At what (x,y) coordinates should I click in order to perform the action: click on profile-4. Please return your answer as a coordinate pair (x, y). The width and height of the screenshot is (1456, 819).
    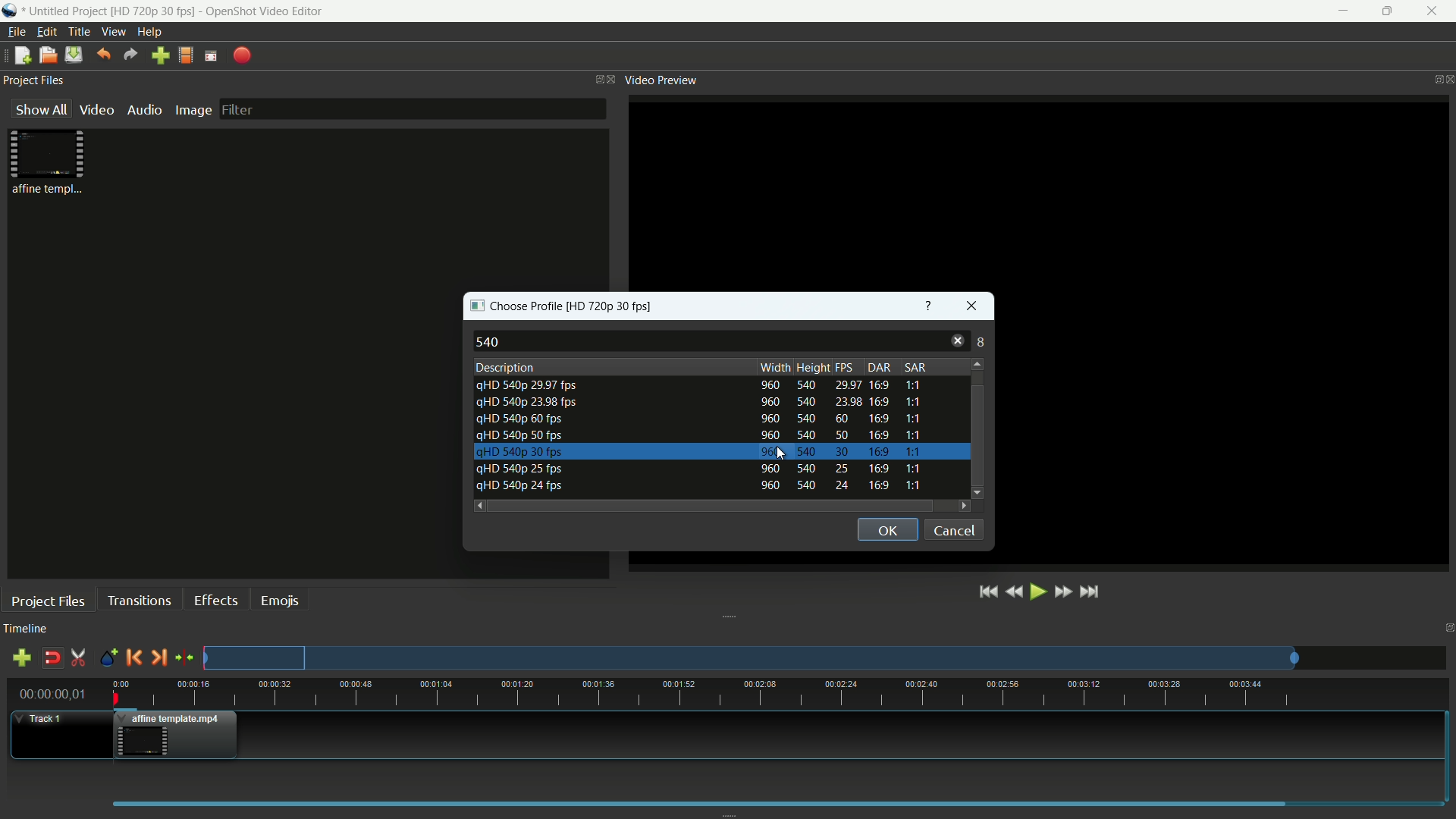
    Looking at the image, I should click on (703, 418).